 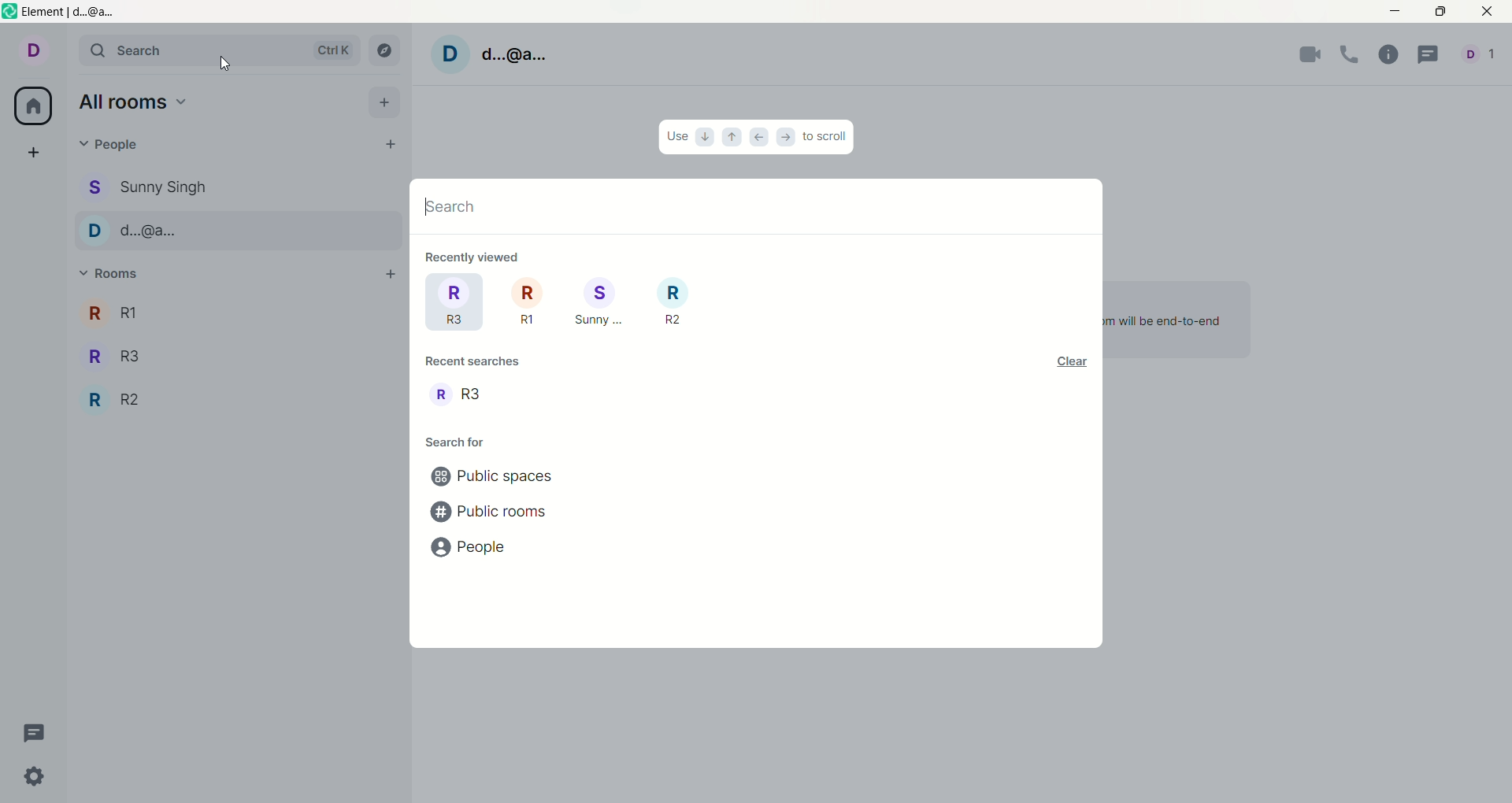 What do you see at coordinates (109, 269) in the screenshot?
I see `rooms` at bounding box center [109, 269].